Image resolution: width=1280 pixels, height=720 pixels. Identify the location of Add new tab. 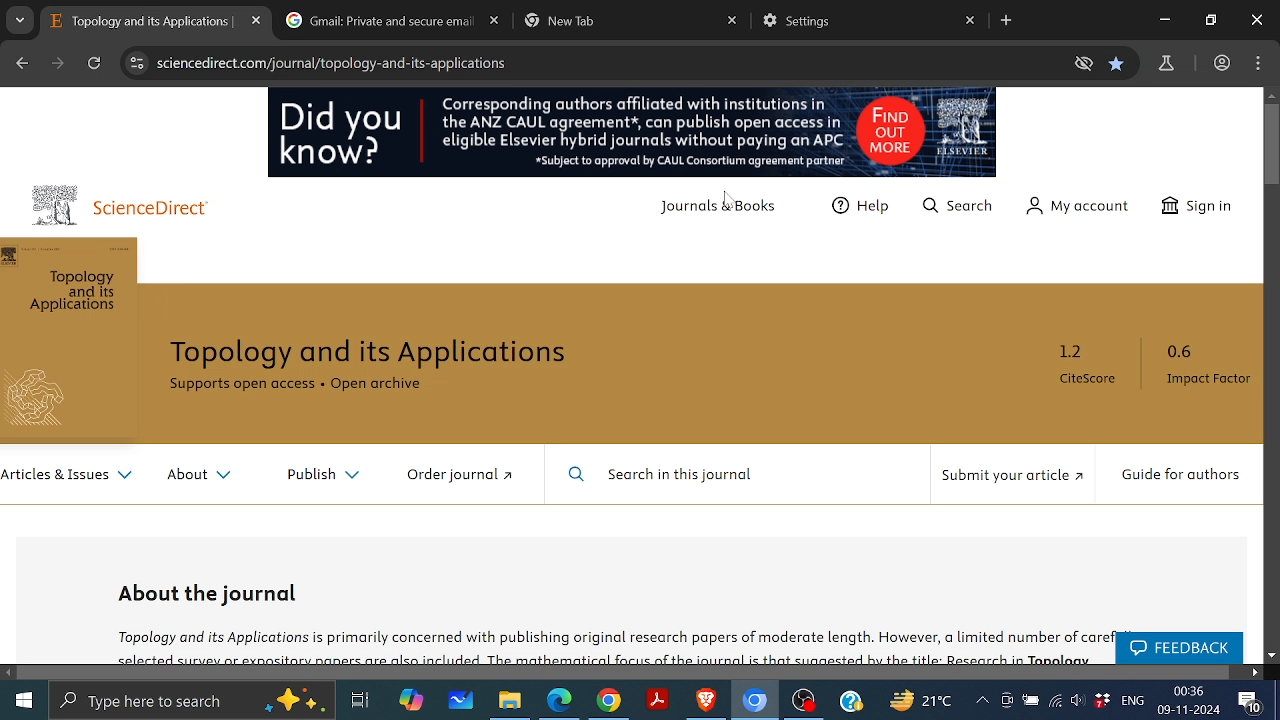
(1007, 20).